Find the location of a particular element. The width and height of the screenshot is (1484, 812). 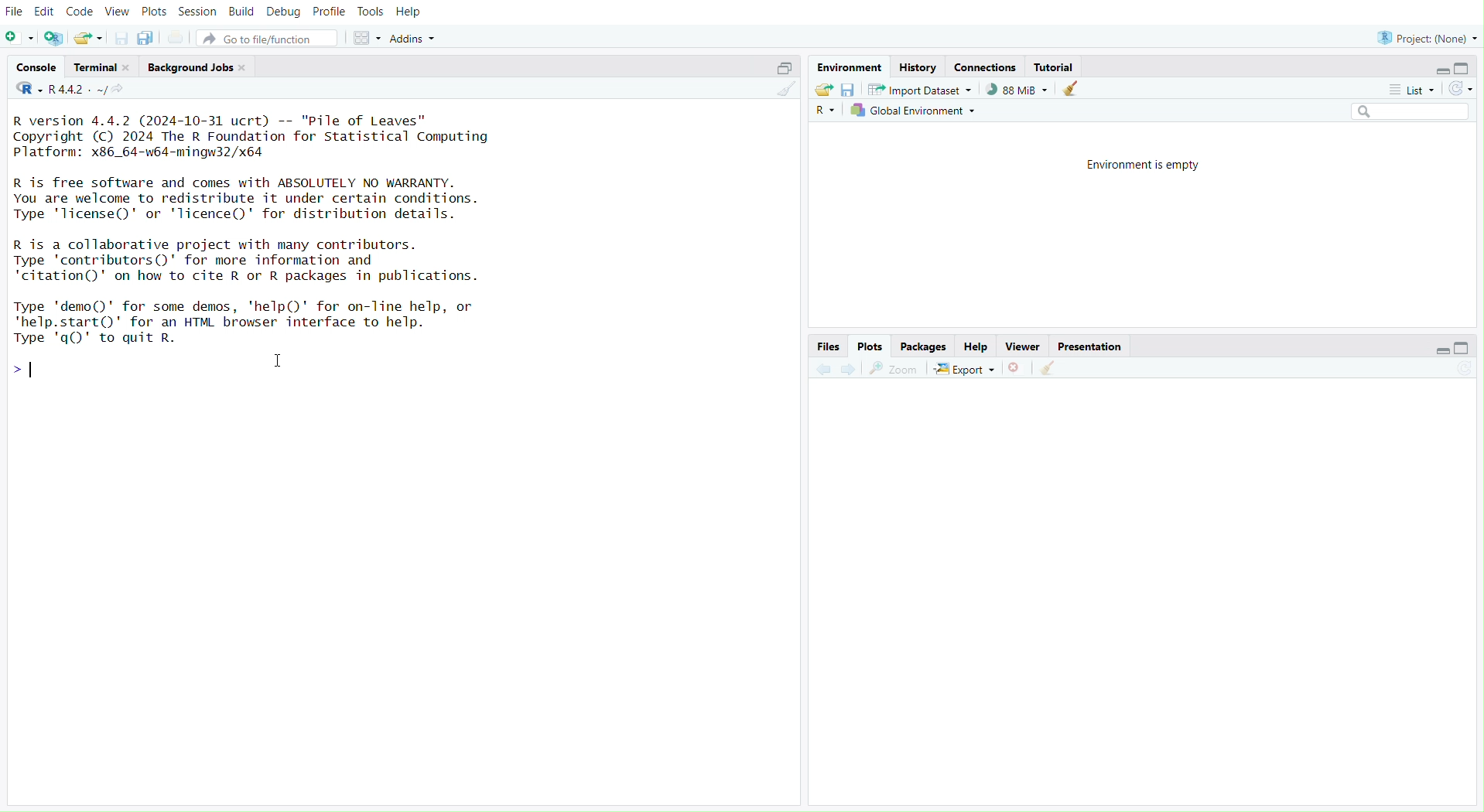

Build is located at coordinates (243, 12).